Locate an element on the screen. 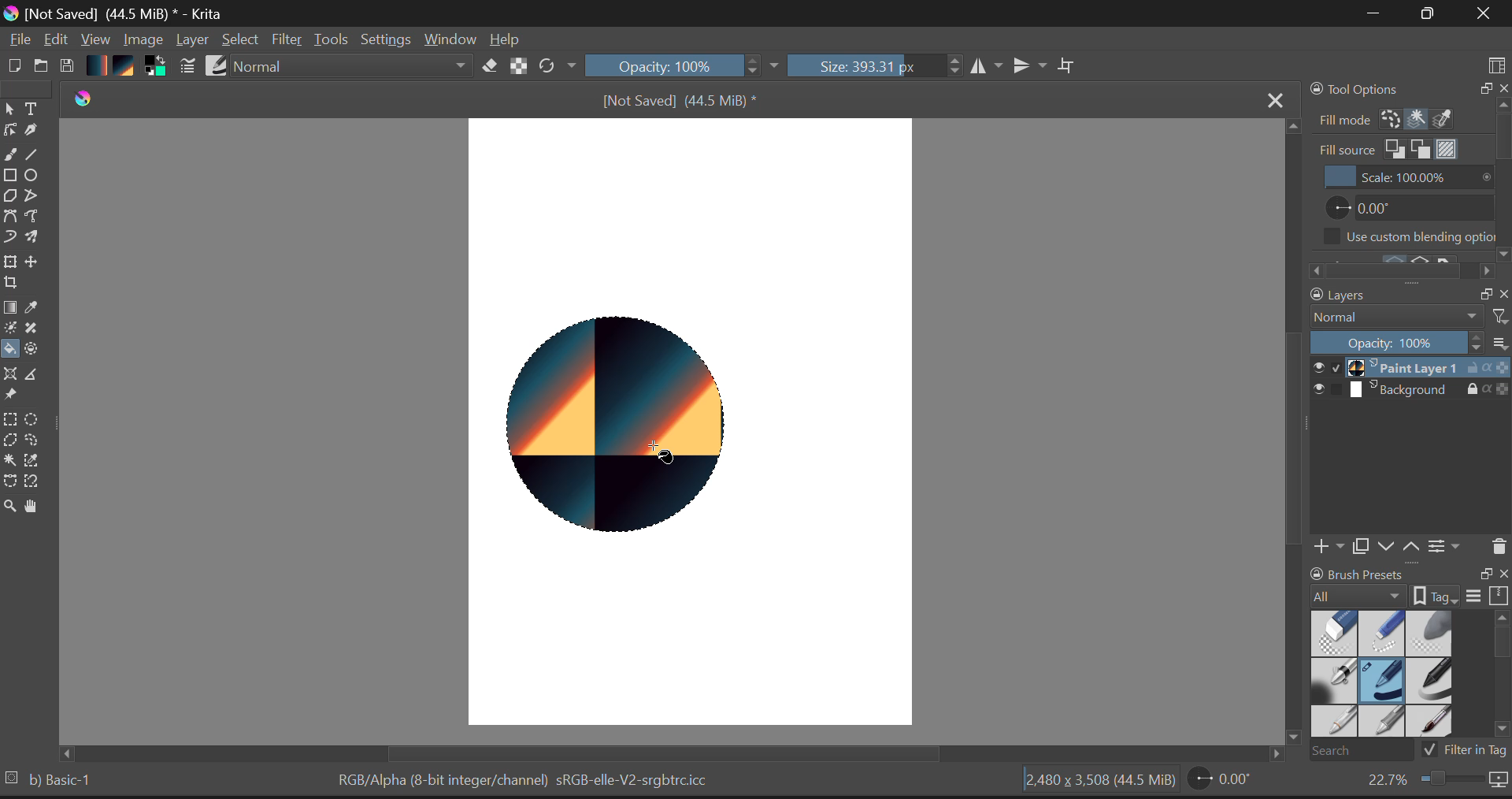 This screenshot has width=1512, height=799. Lock Alpha is located at coordinates (516, 67).